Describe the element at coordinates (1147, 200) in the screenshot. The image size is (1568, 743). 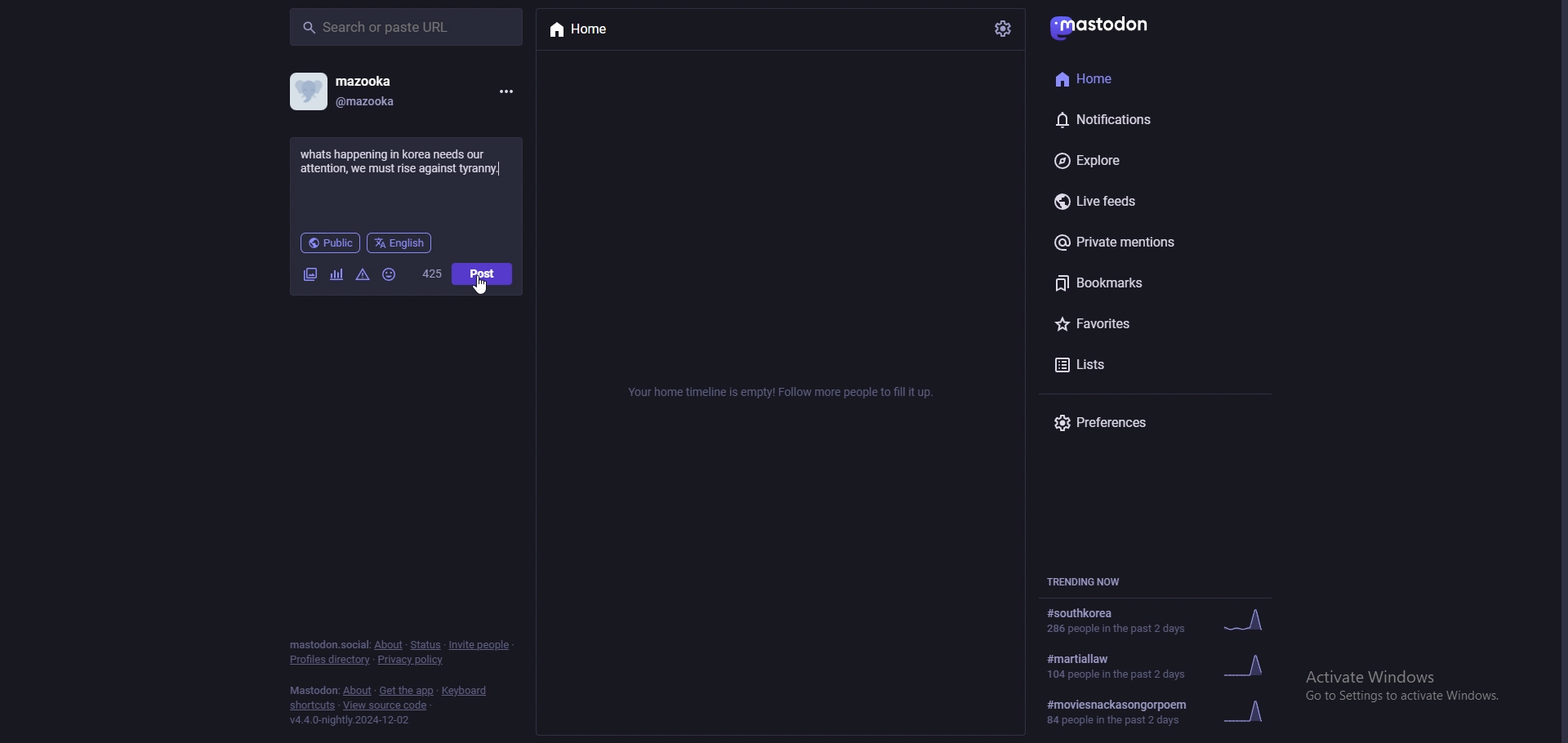
I see `live feeds` at that location.